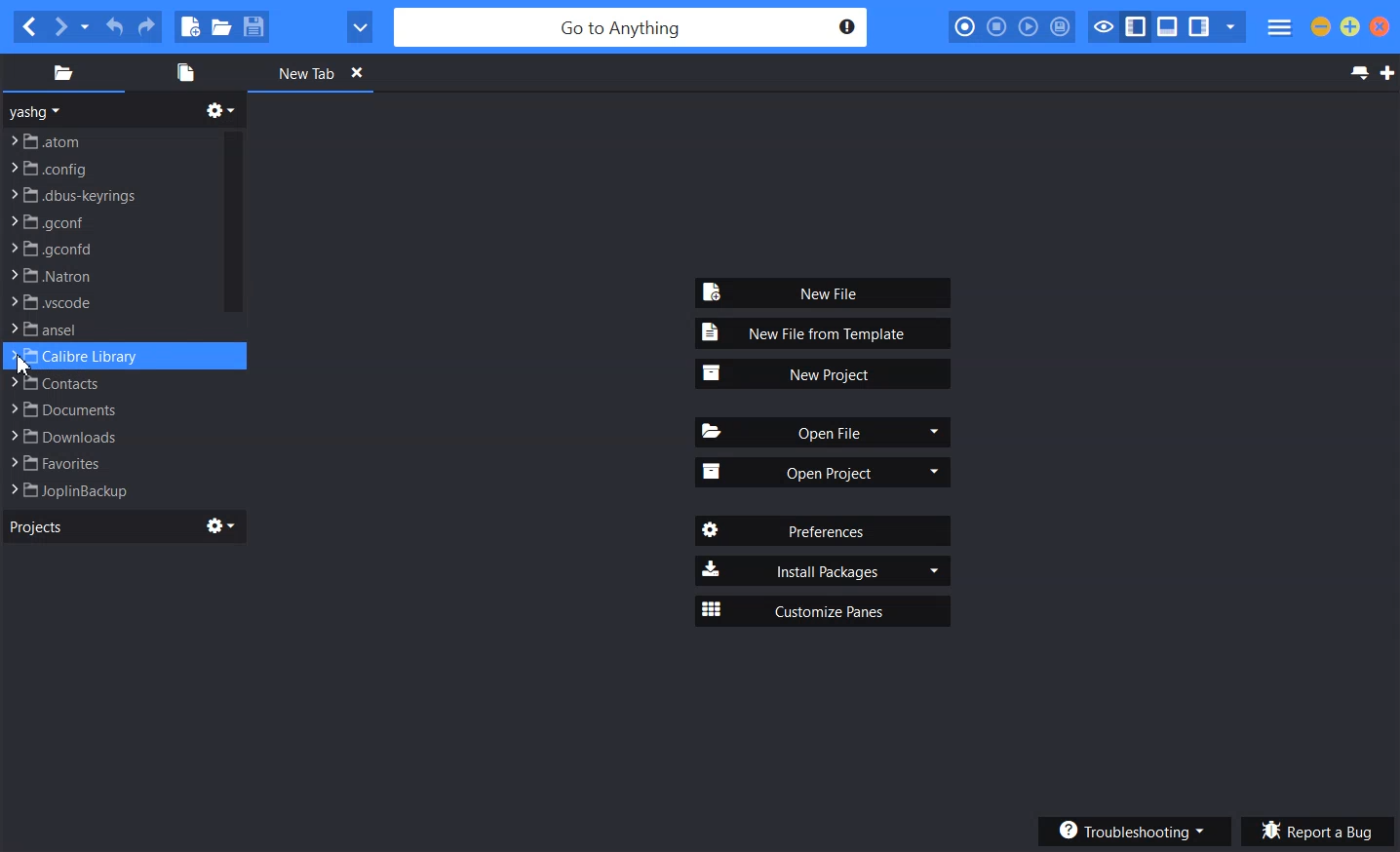  What do you see at coordinates (1280, 28) in the screenshot?
I see `Menu` at bounding box center [1280, 28].